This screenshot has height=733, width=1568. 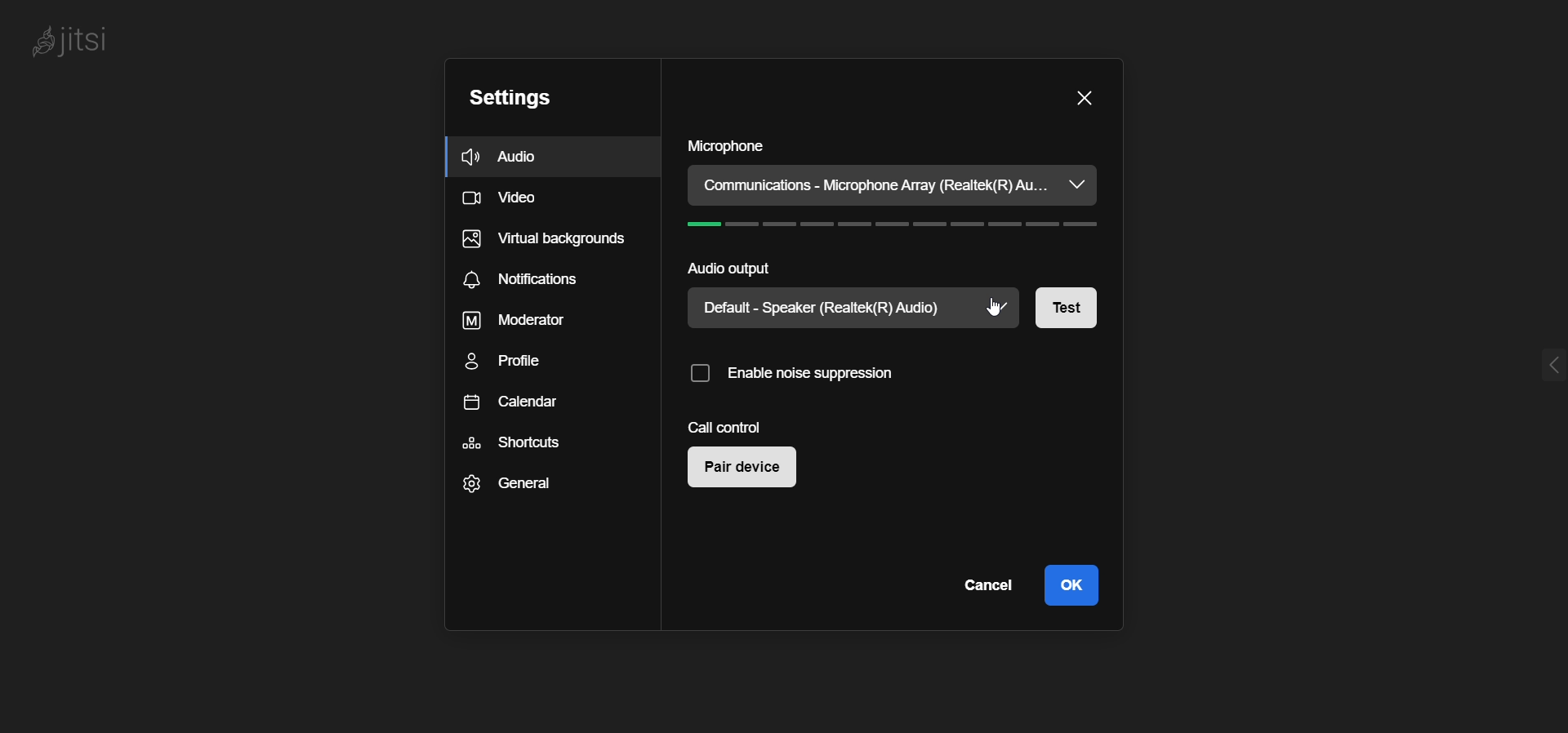 What do you see at coordinates (727, 427) in the screenshot?
I see `call control` at bounding box center [727, 427].